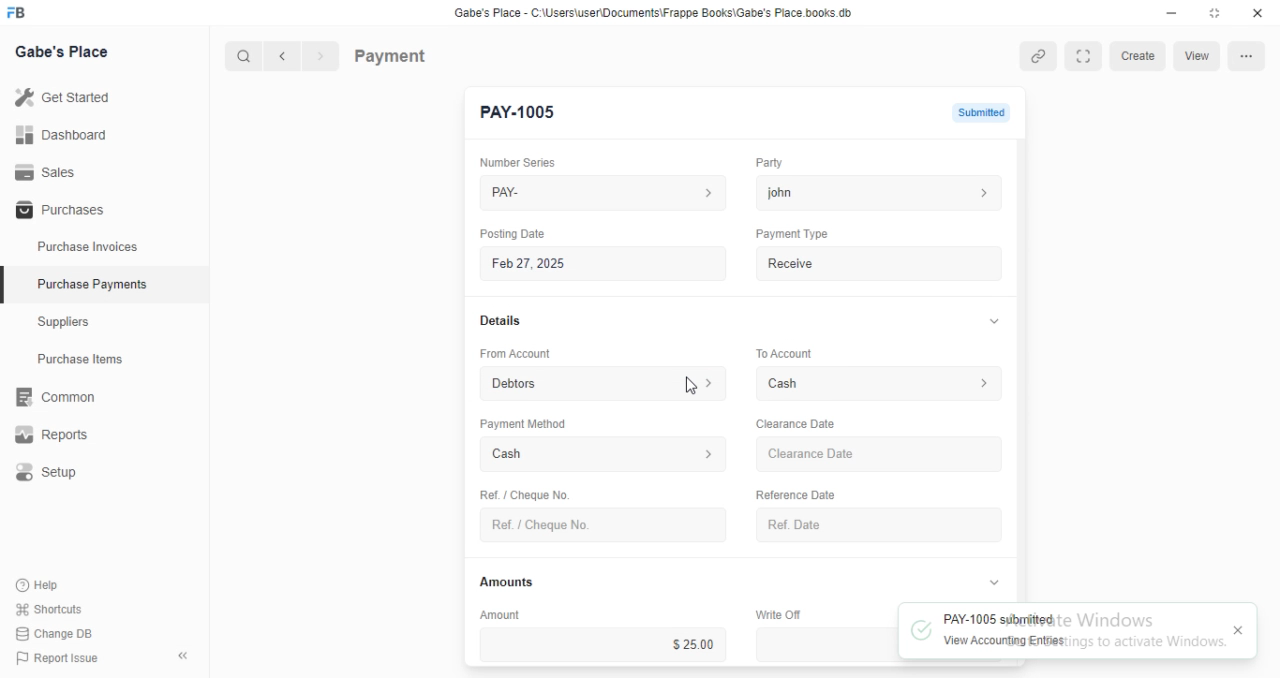 This screenshot has height=678, width=1280. Describe the element at coordinates (879, 192) in the screenshot. I see `john` at that location.